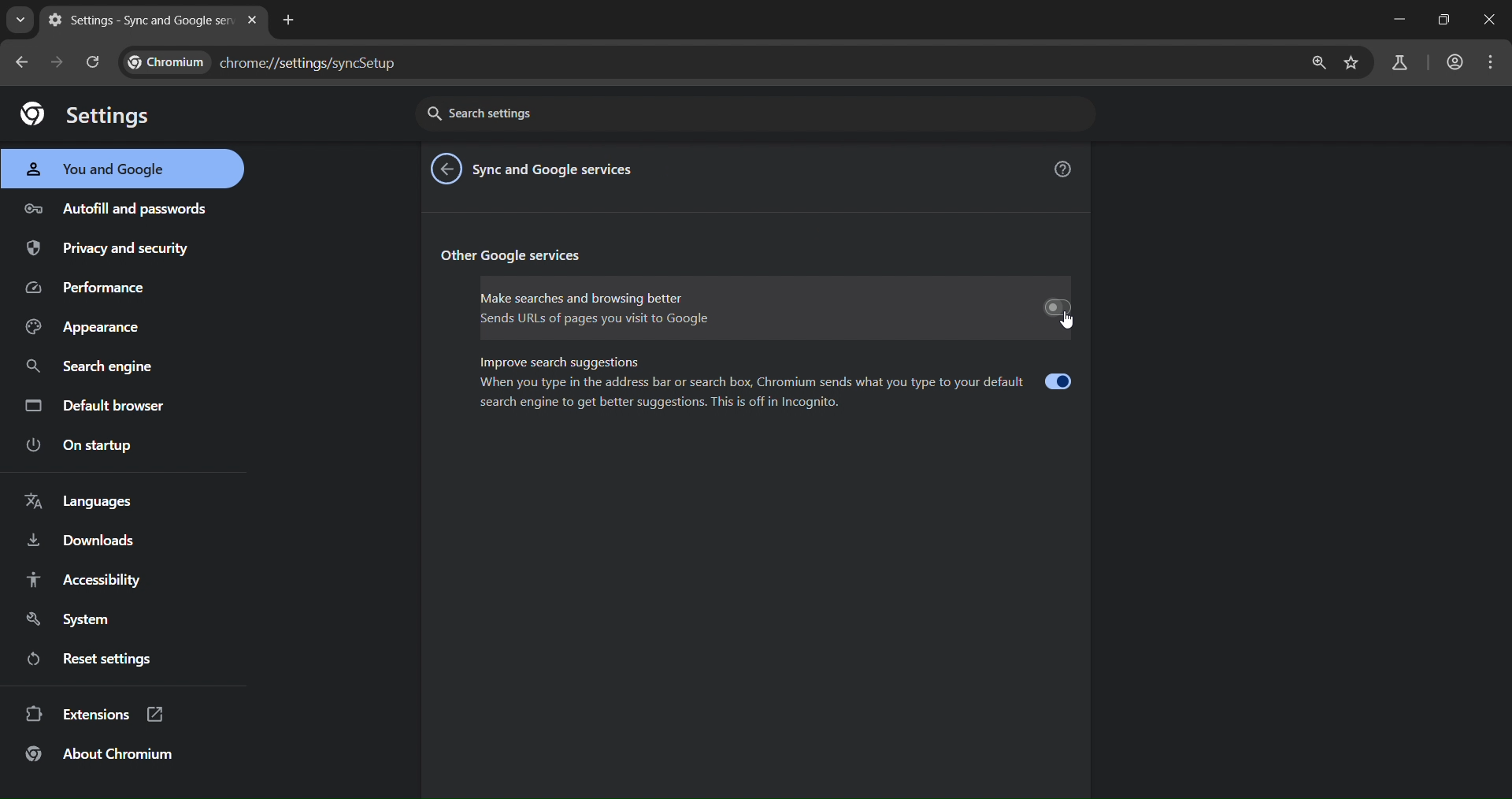 This screenshot has height=799, width=1512. Describe the element at coordinates (69, 618) in the screenshot. I see `system` at that location.